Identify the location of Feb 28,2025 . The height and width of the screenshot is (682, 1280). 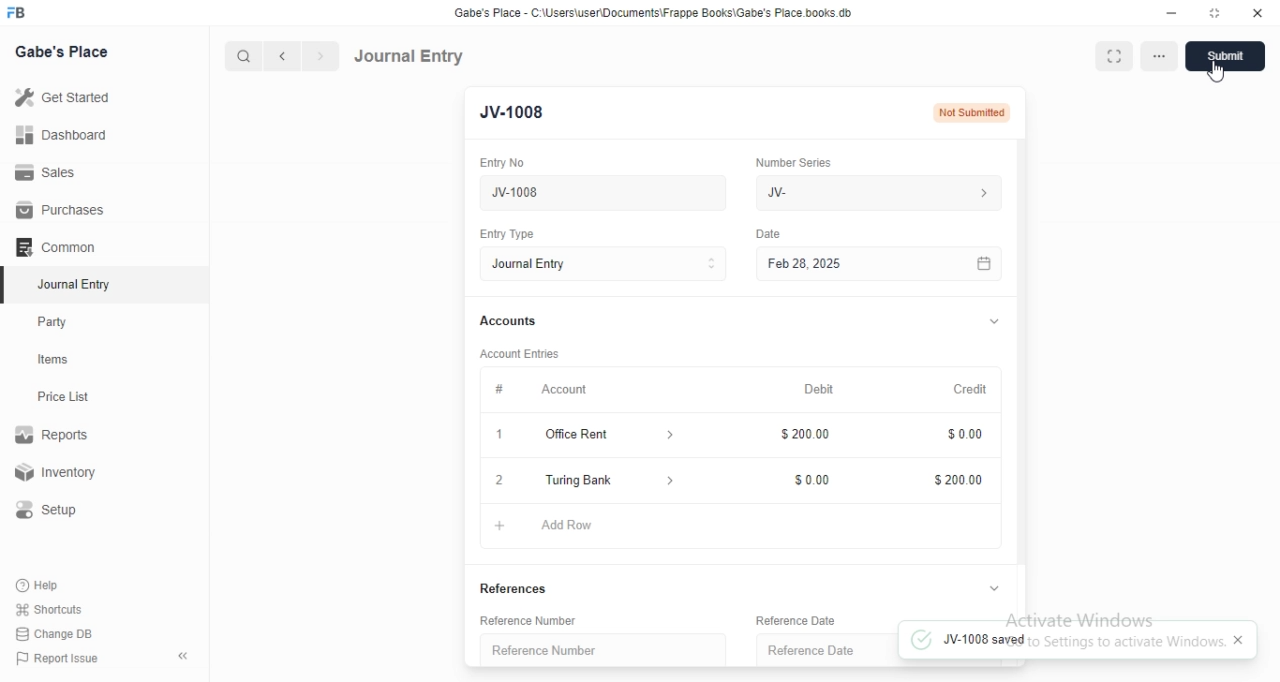
(875, 265).